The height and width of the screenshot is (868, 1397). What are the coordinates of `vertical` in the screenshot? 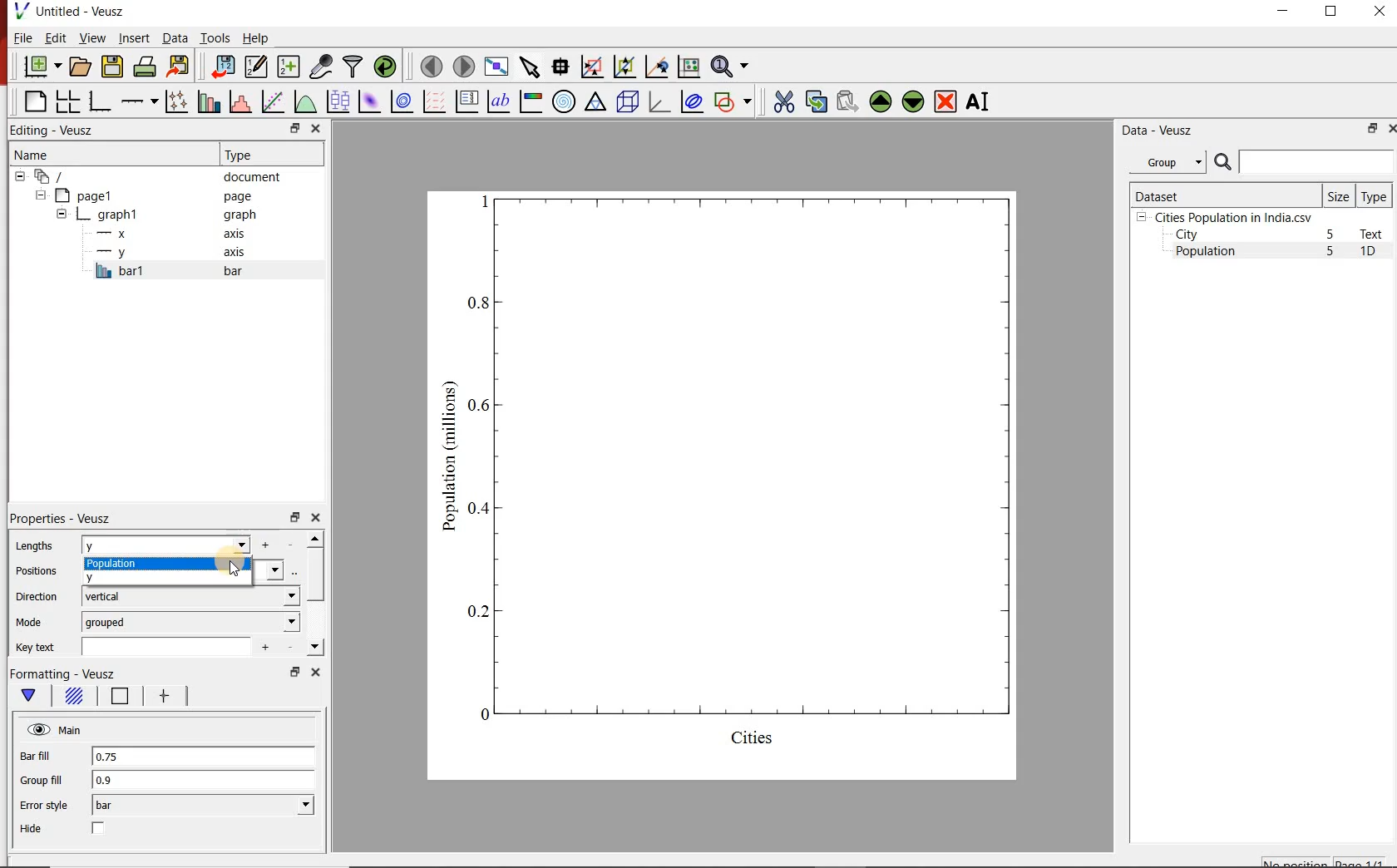 It's located at (190, 596).